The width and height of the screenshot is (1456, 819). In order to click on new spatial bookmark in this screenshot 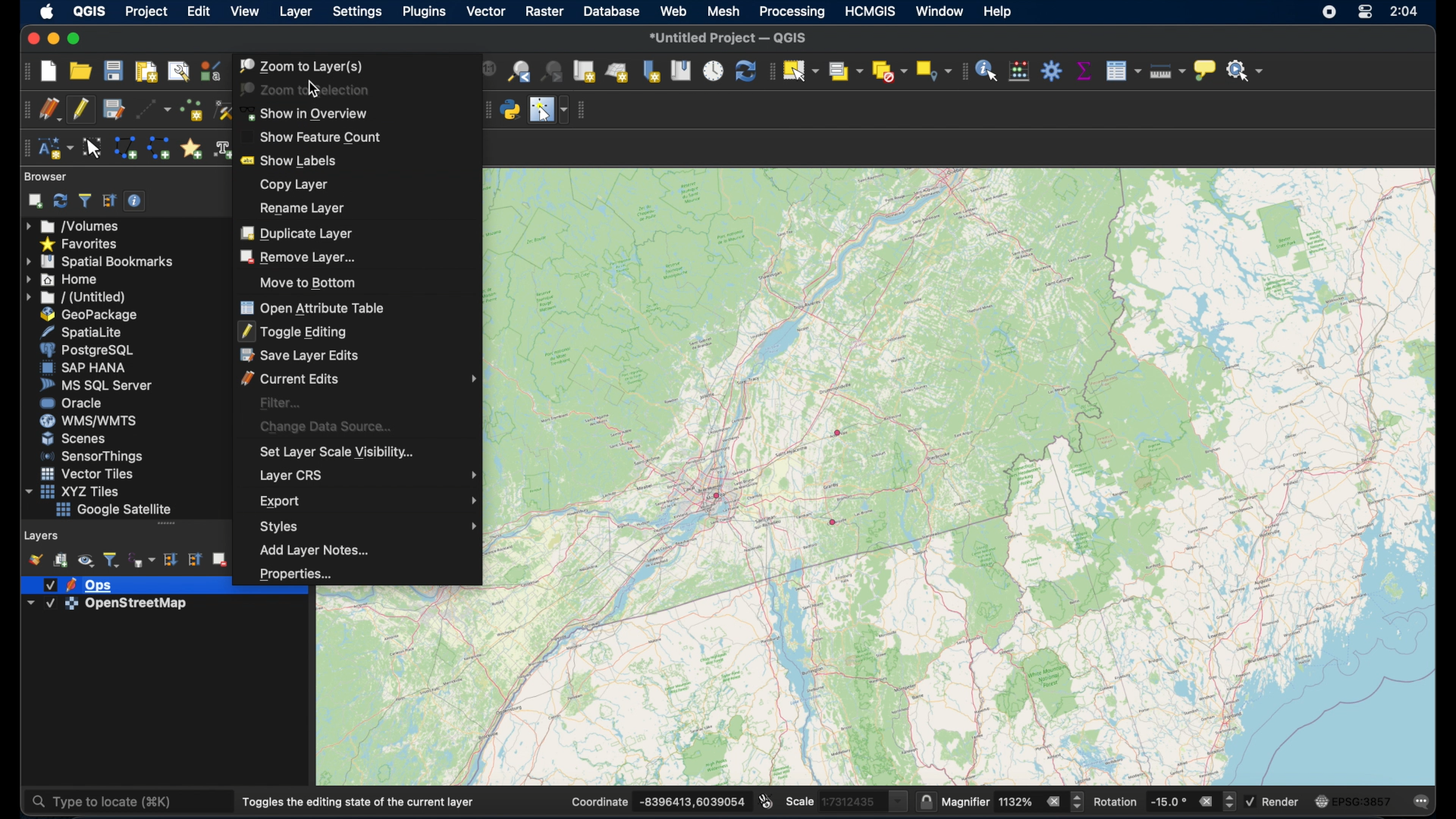, I will do `click(651, 70)`.